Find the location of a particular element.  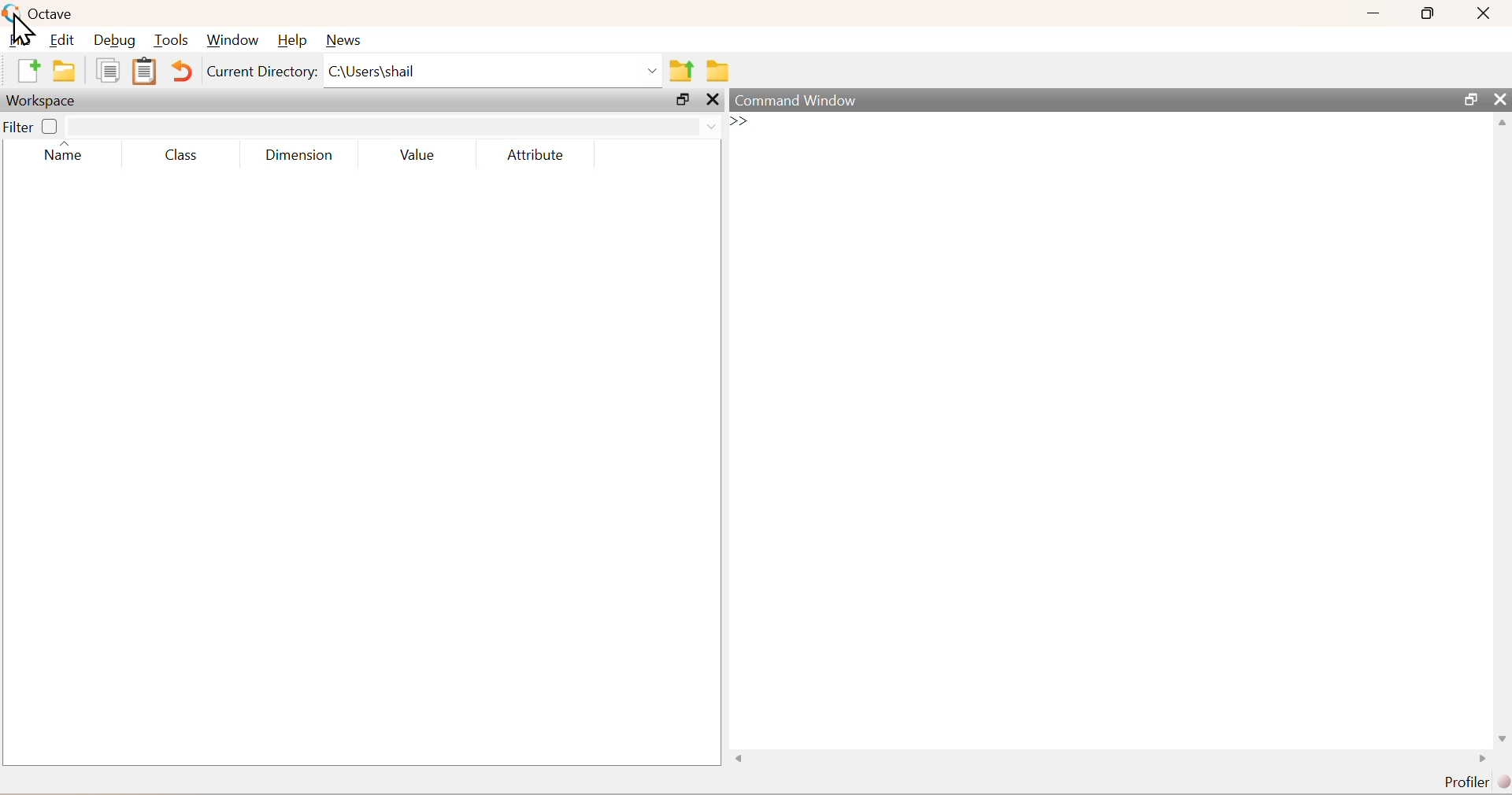

folder is located at coordinates (717, 72).